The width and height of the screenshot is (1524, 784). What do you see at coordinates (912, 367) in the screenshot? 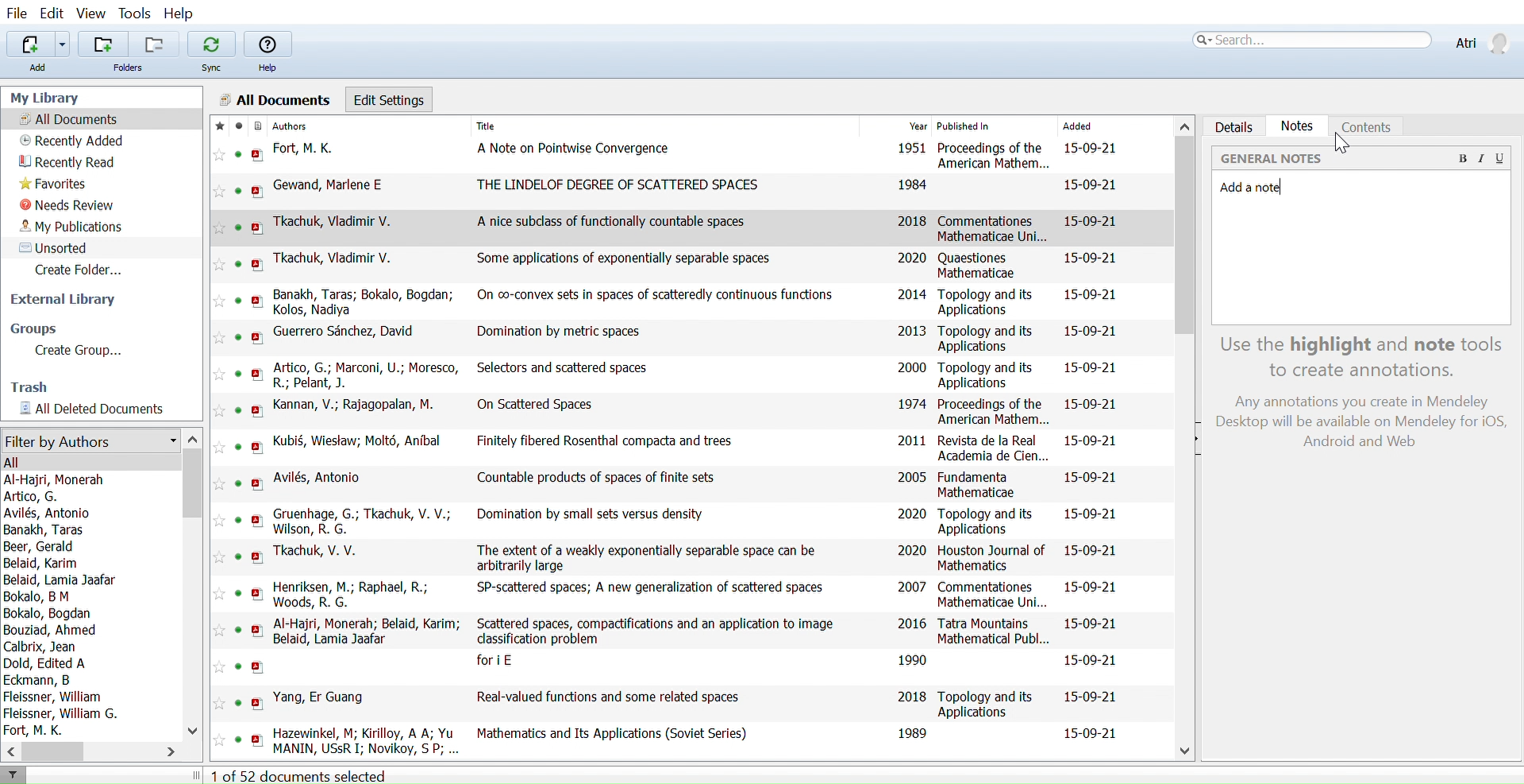
I see `2000` at bounding box center [912, 367].